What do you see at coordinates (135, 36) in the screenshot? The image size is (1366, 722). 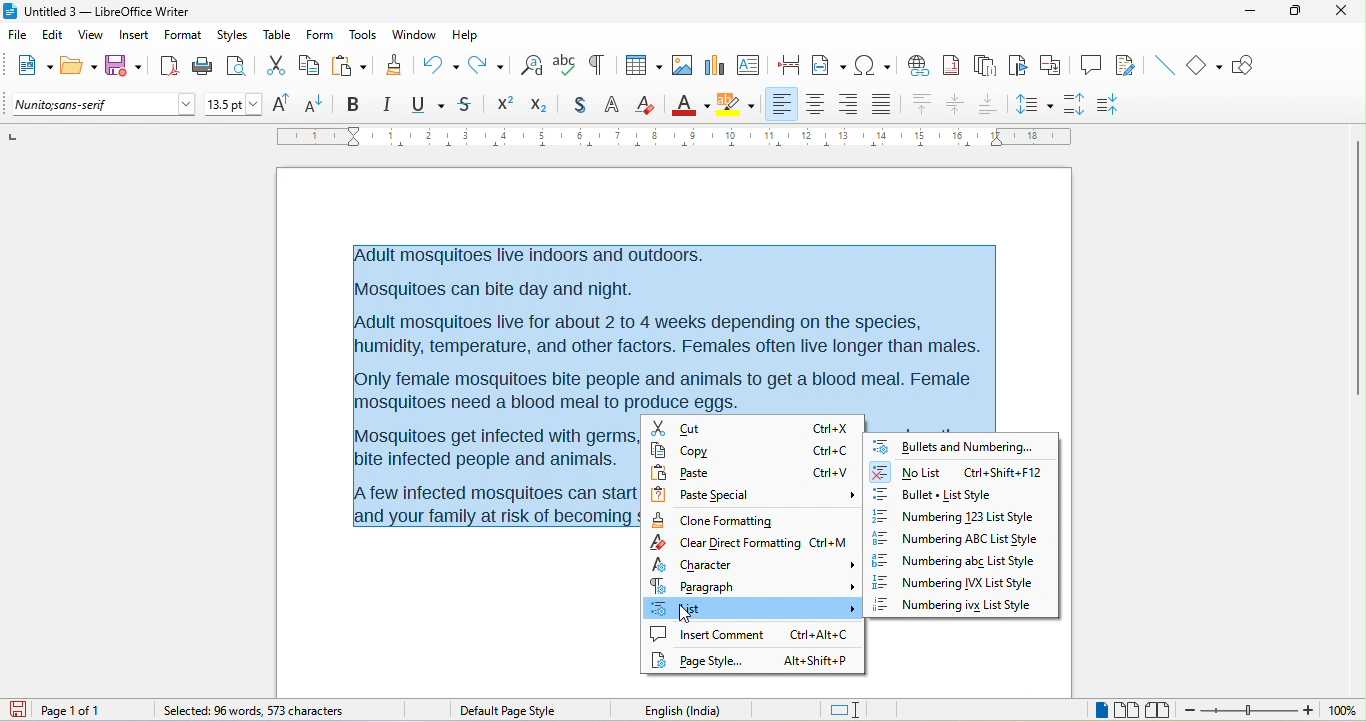 I see `insert` at bounding box center [135, 36].